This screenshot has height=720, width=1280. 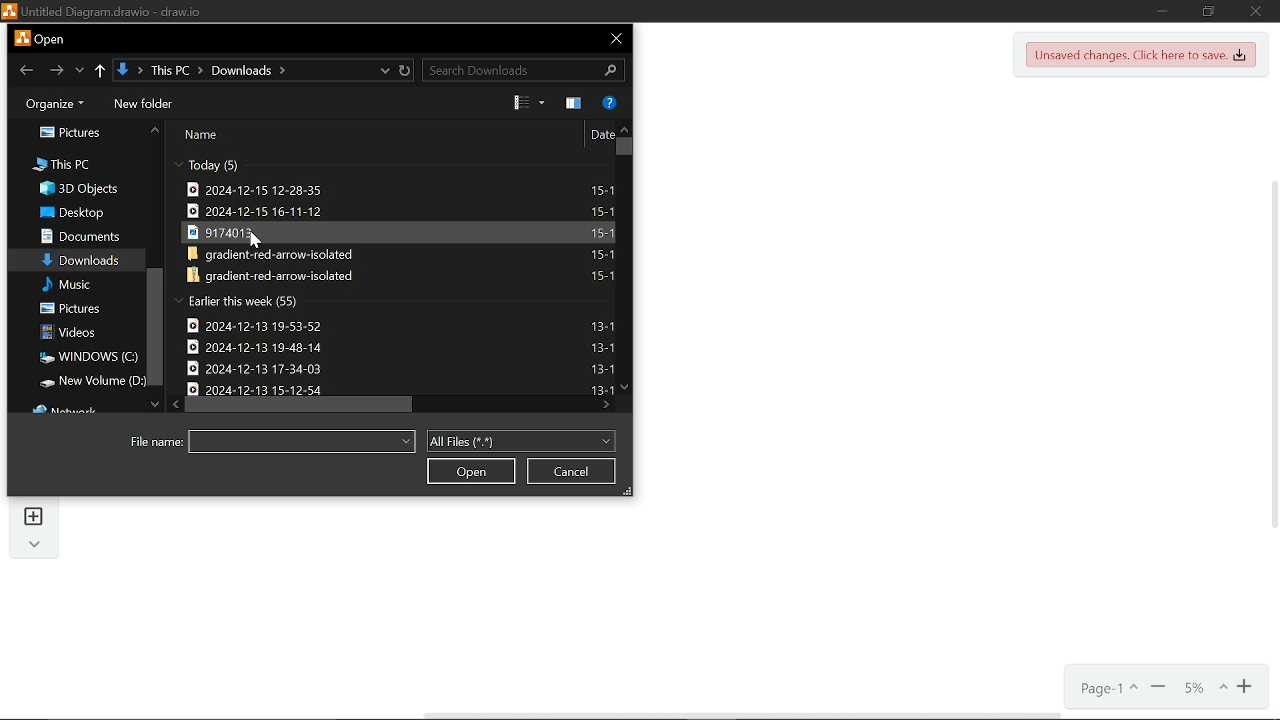 What do you see at coordinates (742, 715) in the screenshot?
I see `Horizontal scrollbar` at bounding box center [742, 715].